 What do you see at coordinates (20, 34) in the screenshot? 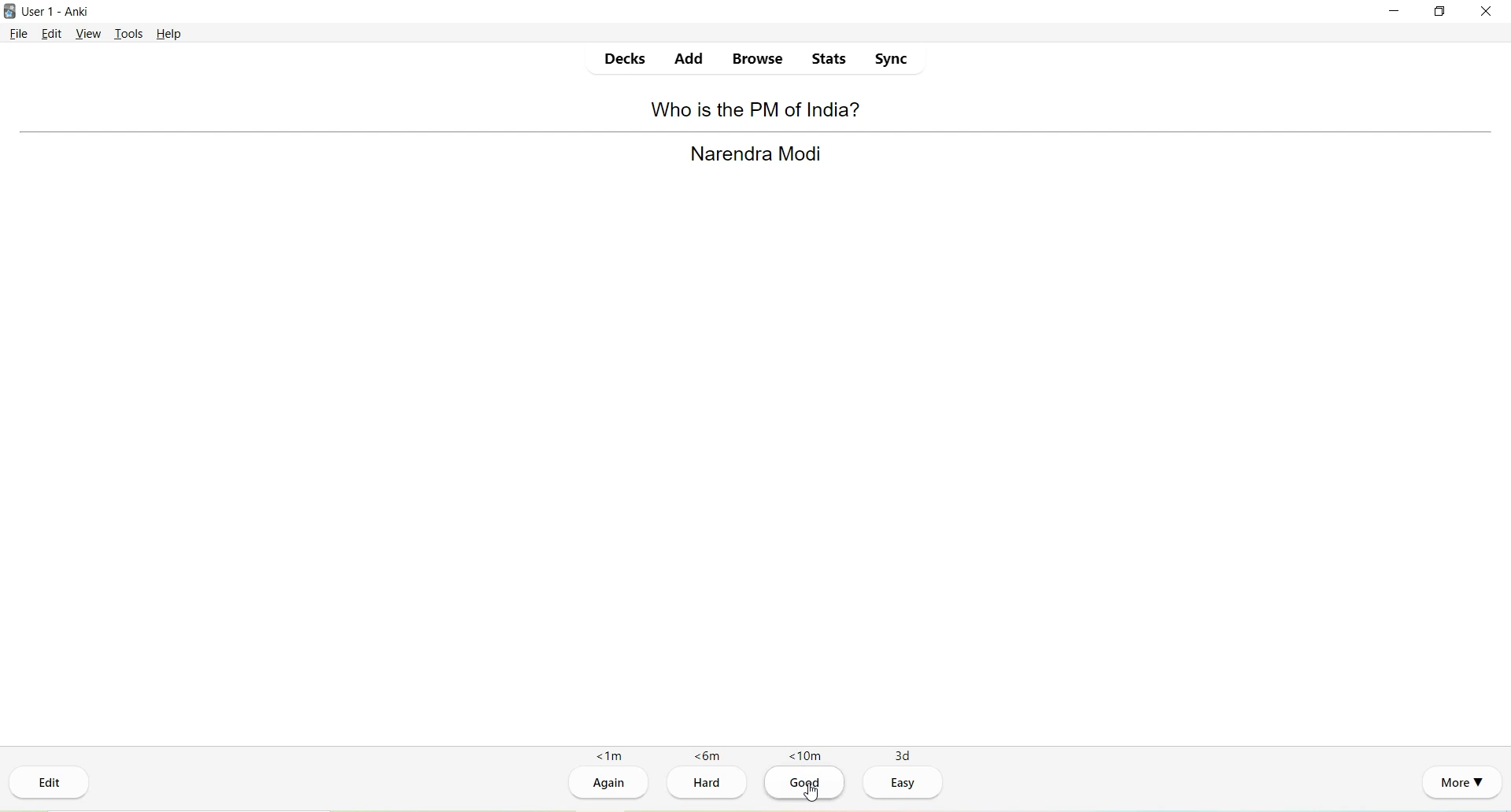
I see `File` at bounding box center [20, 34].